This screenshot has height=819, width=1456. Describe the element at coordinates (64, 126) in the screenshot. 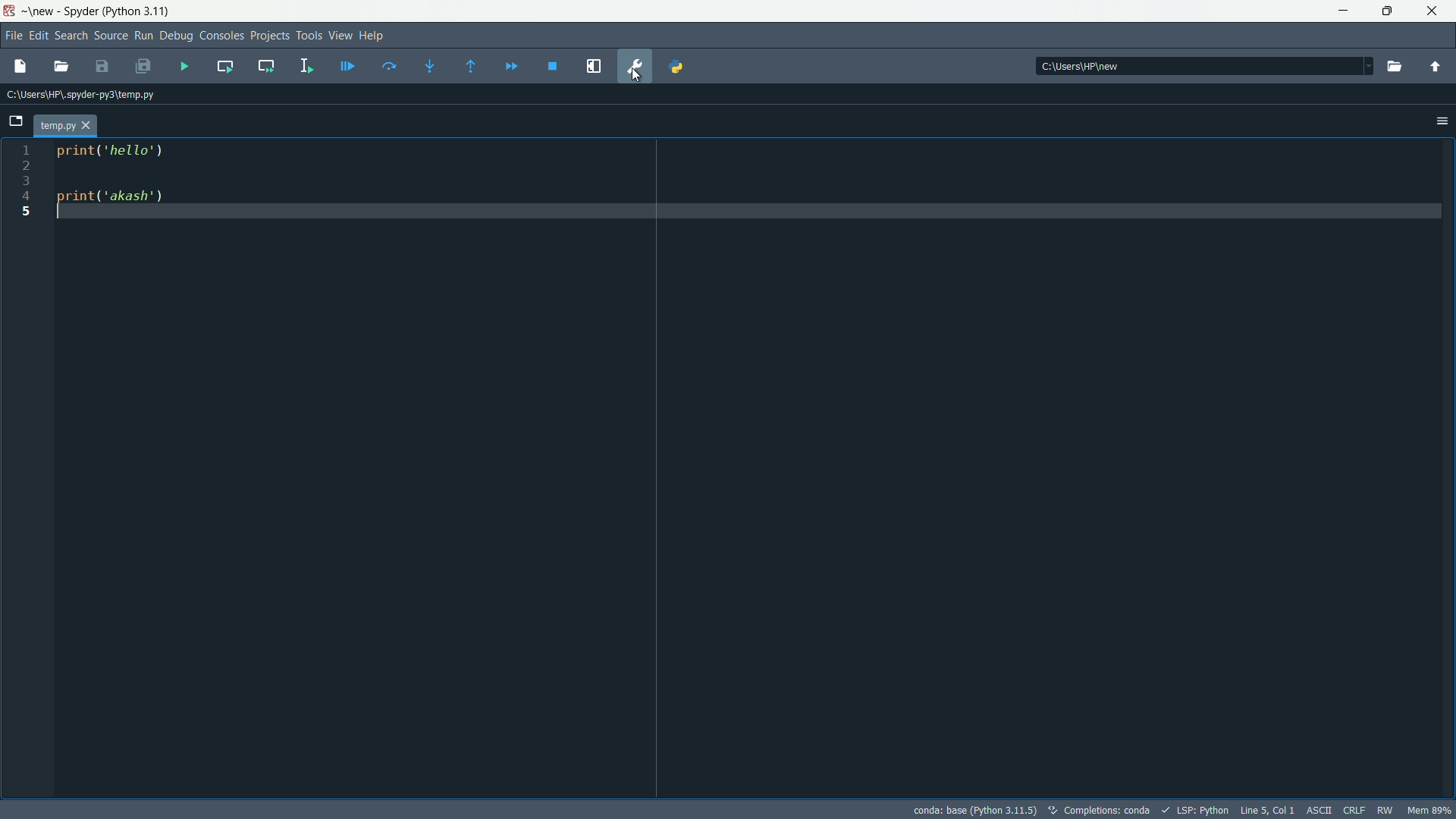

I see `file tab` at that location.